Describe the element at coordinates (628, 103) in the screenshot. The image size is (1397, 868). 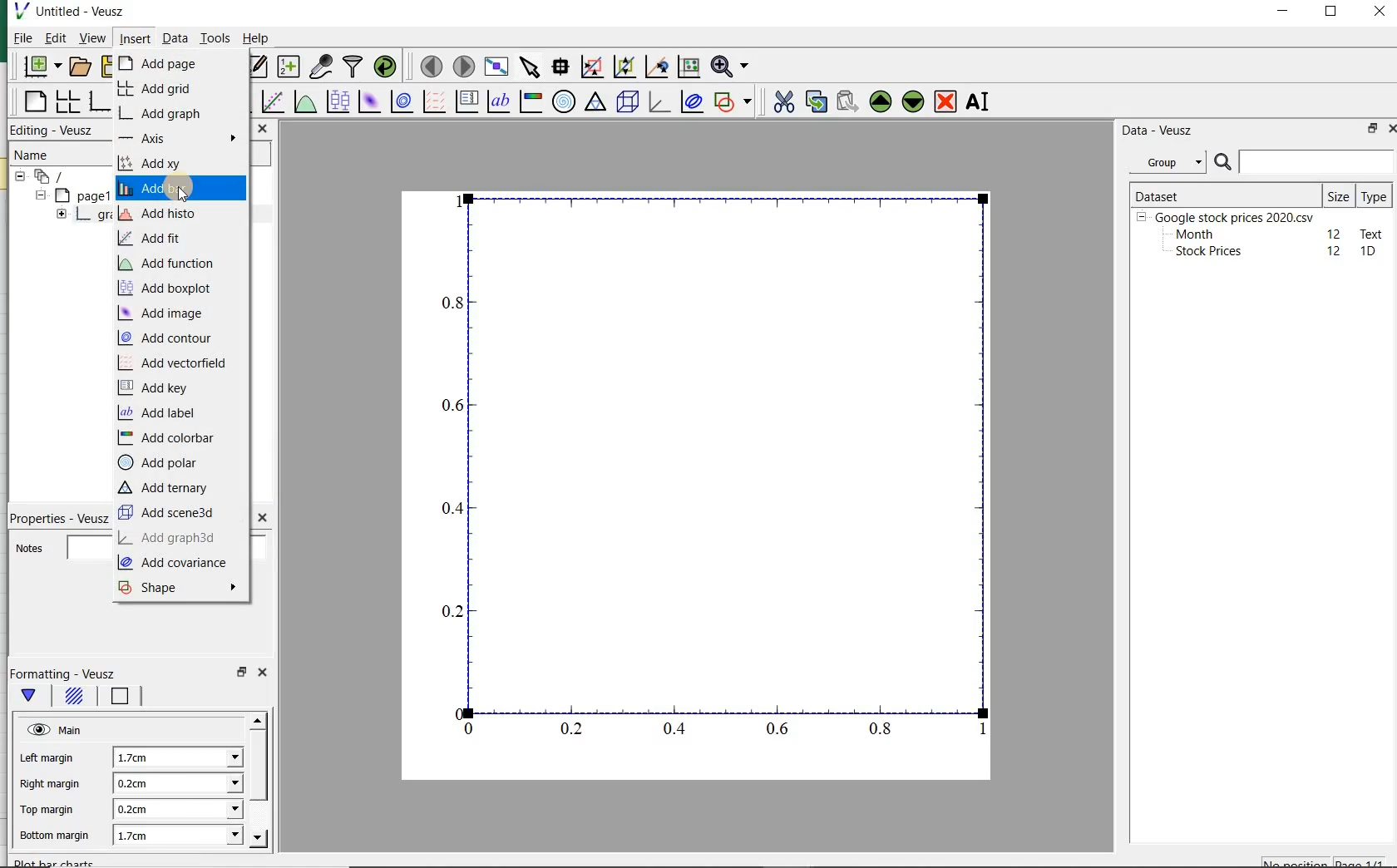
I see `3d scene` at that location.